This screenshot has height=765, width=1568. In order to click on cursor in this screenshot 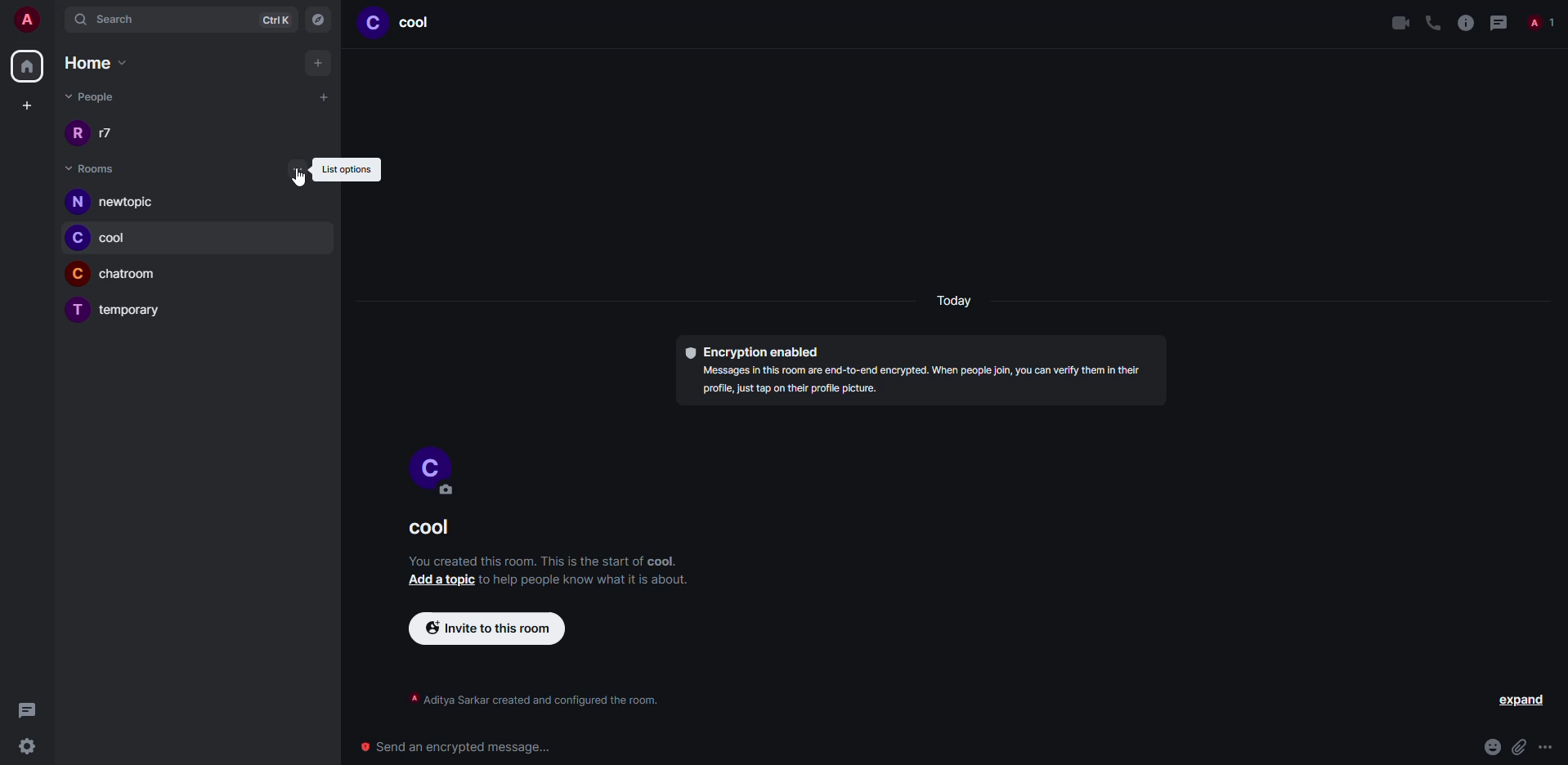, I will do `click(297, 181)`.